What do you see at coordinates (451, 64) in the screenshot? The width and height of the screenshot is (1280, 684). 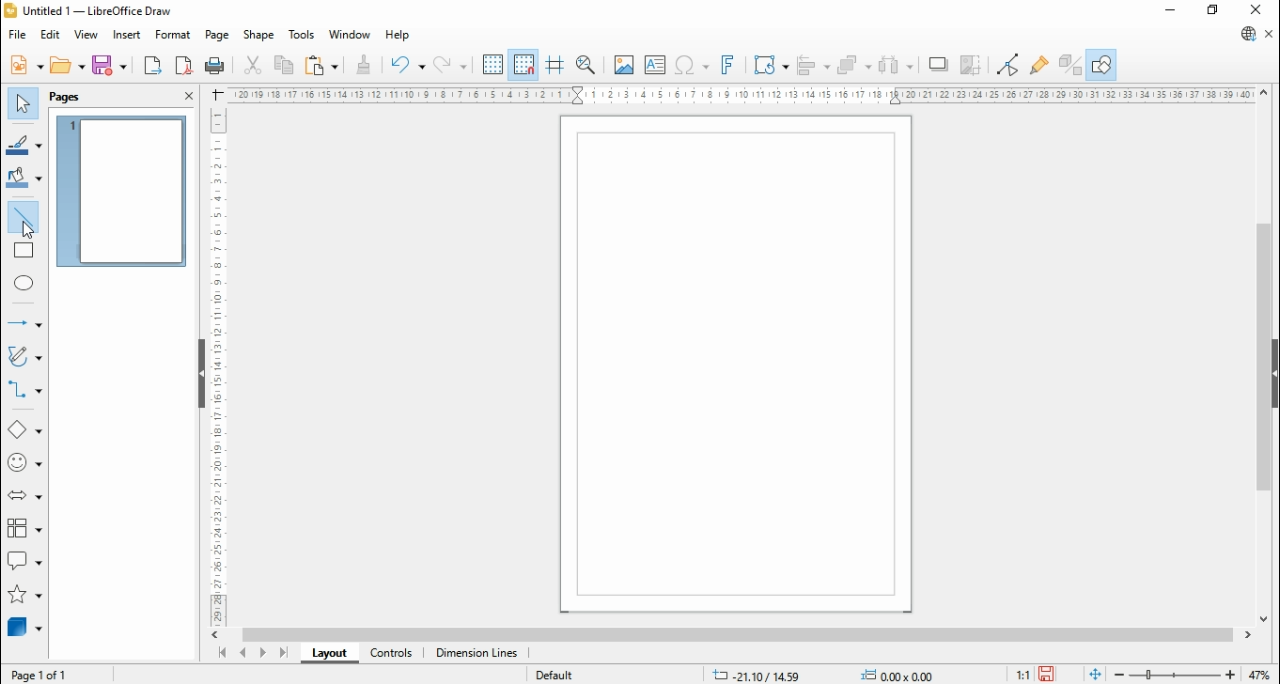 I see `redo` at bounding box center [451, 64].